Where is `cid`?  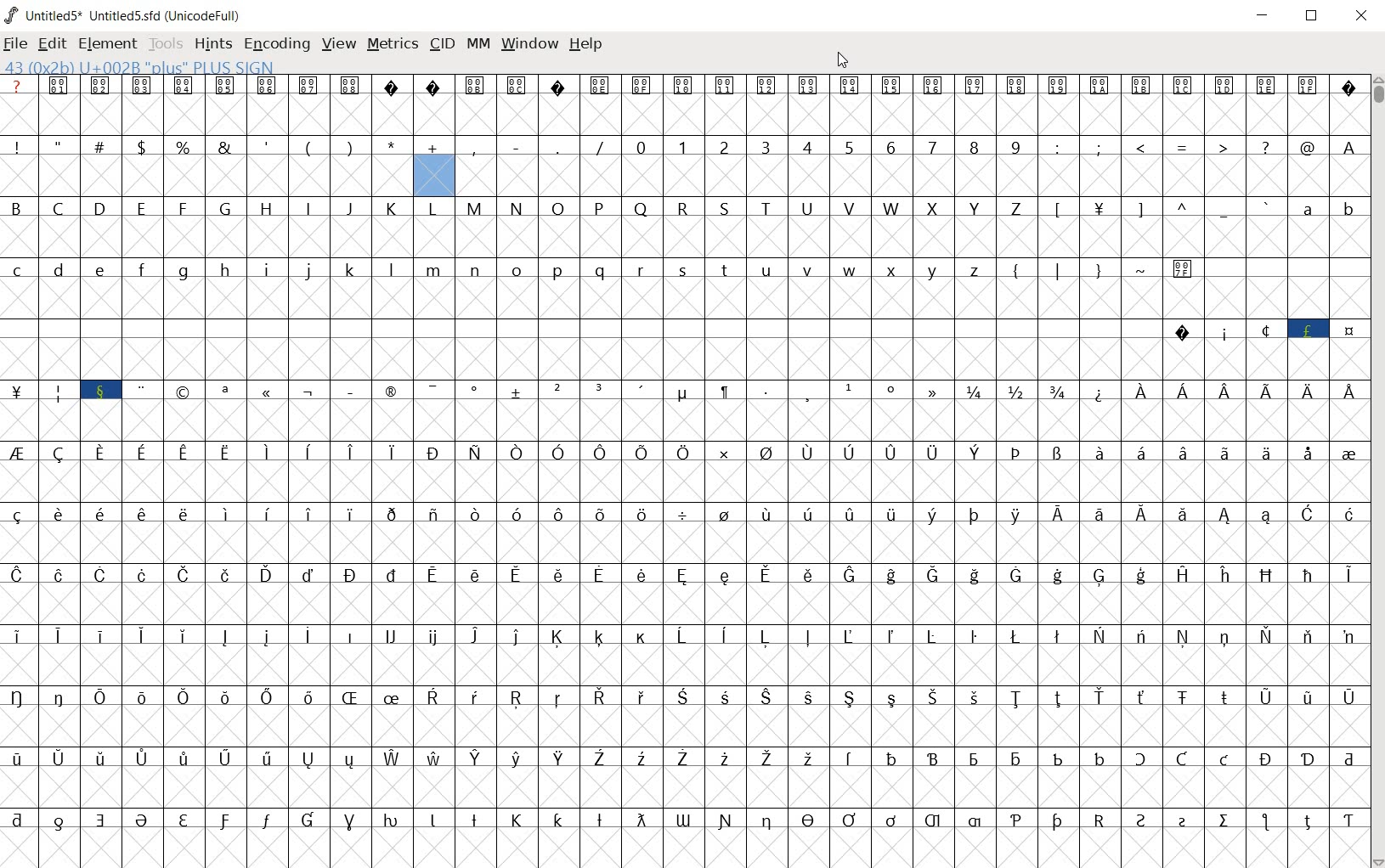
cid is located at coordinates (442, 42).